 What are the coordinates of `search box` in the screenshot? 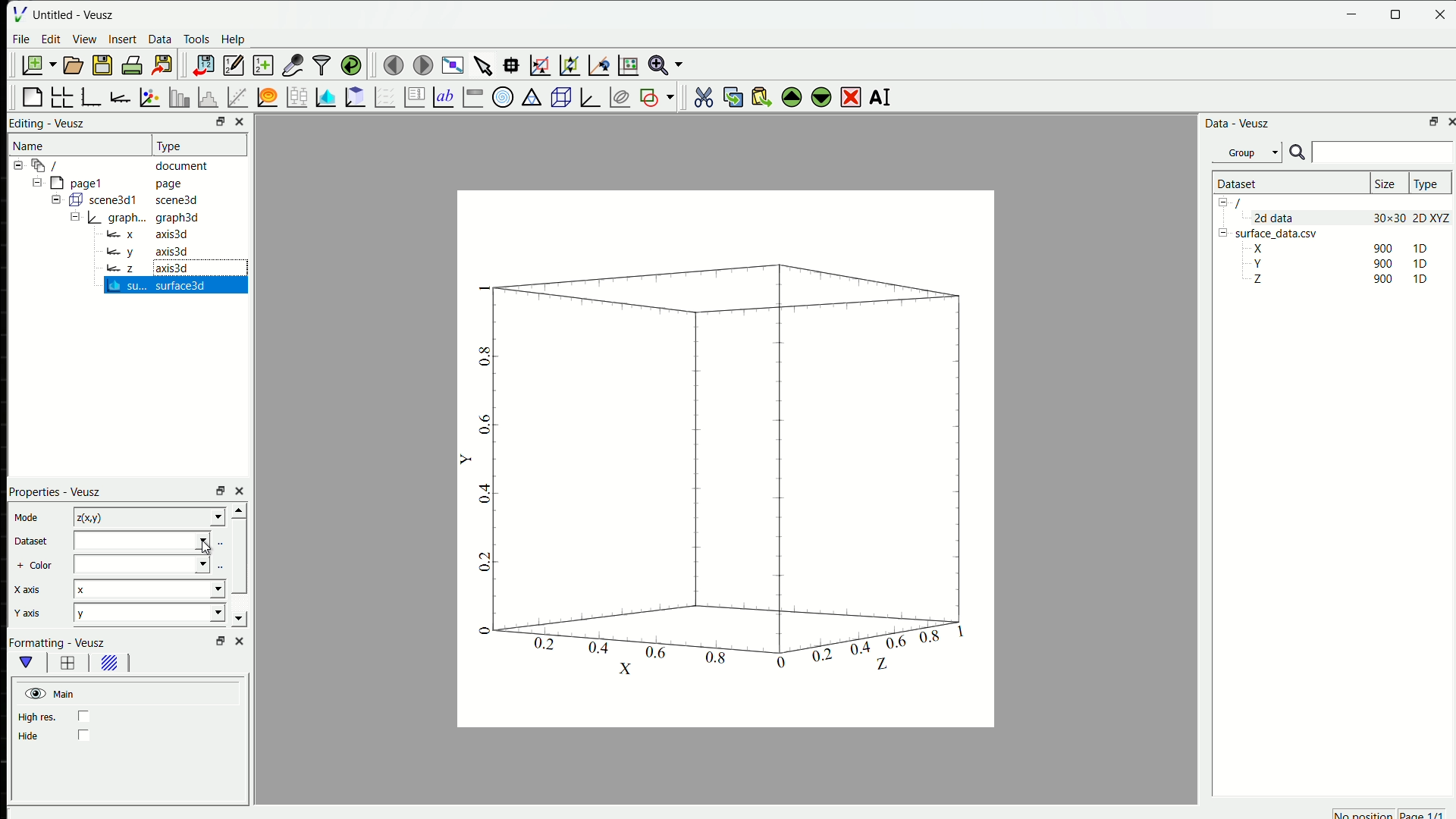 It's located at (1382, 152).